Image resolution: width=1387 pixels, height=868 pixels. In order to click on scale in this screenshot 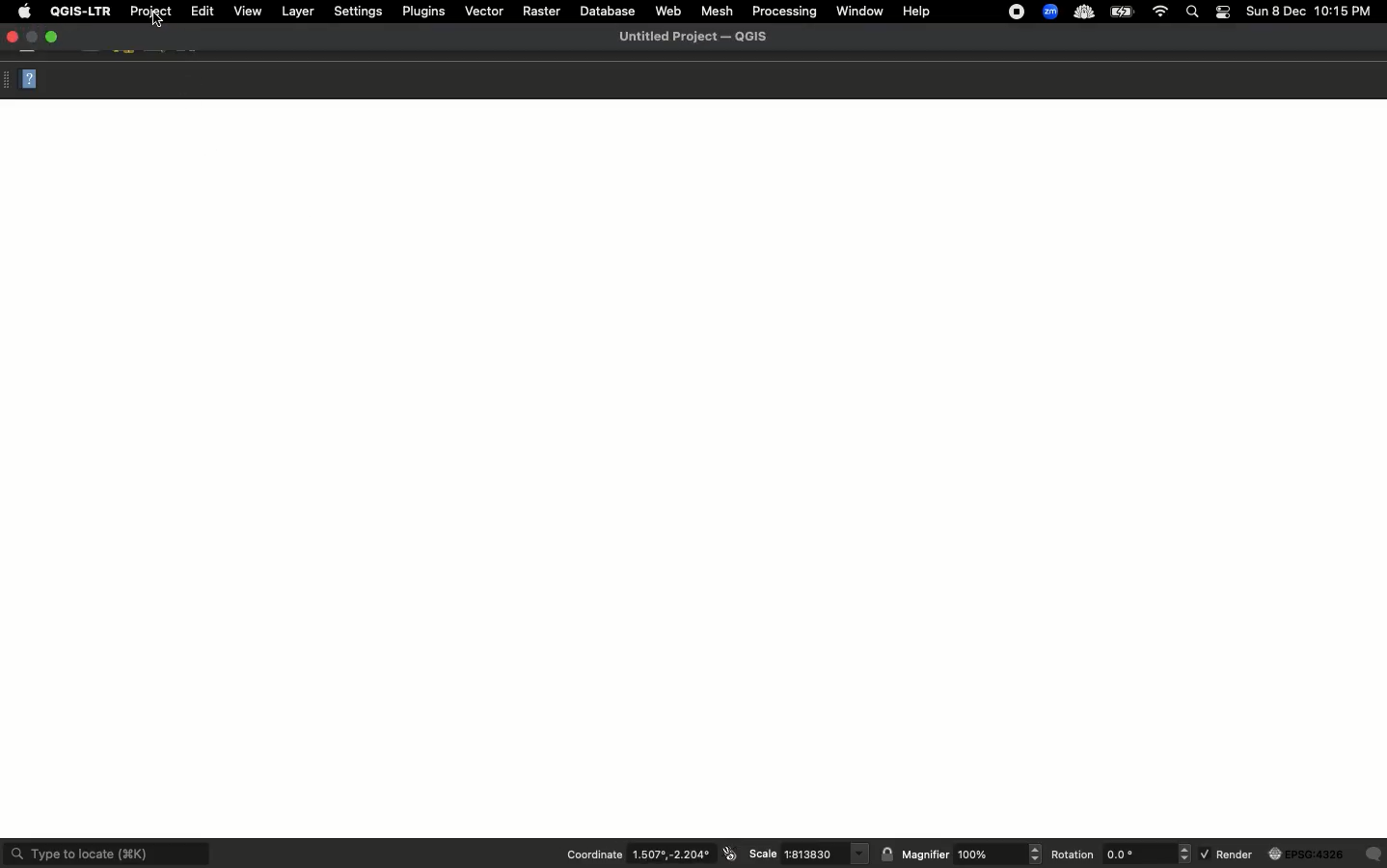, I will do `click(825, 854)`.